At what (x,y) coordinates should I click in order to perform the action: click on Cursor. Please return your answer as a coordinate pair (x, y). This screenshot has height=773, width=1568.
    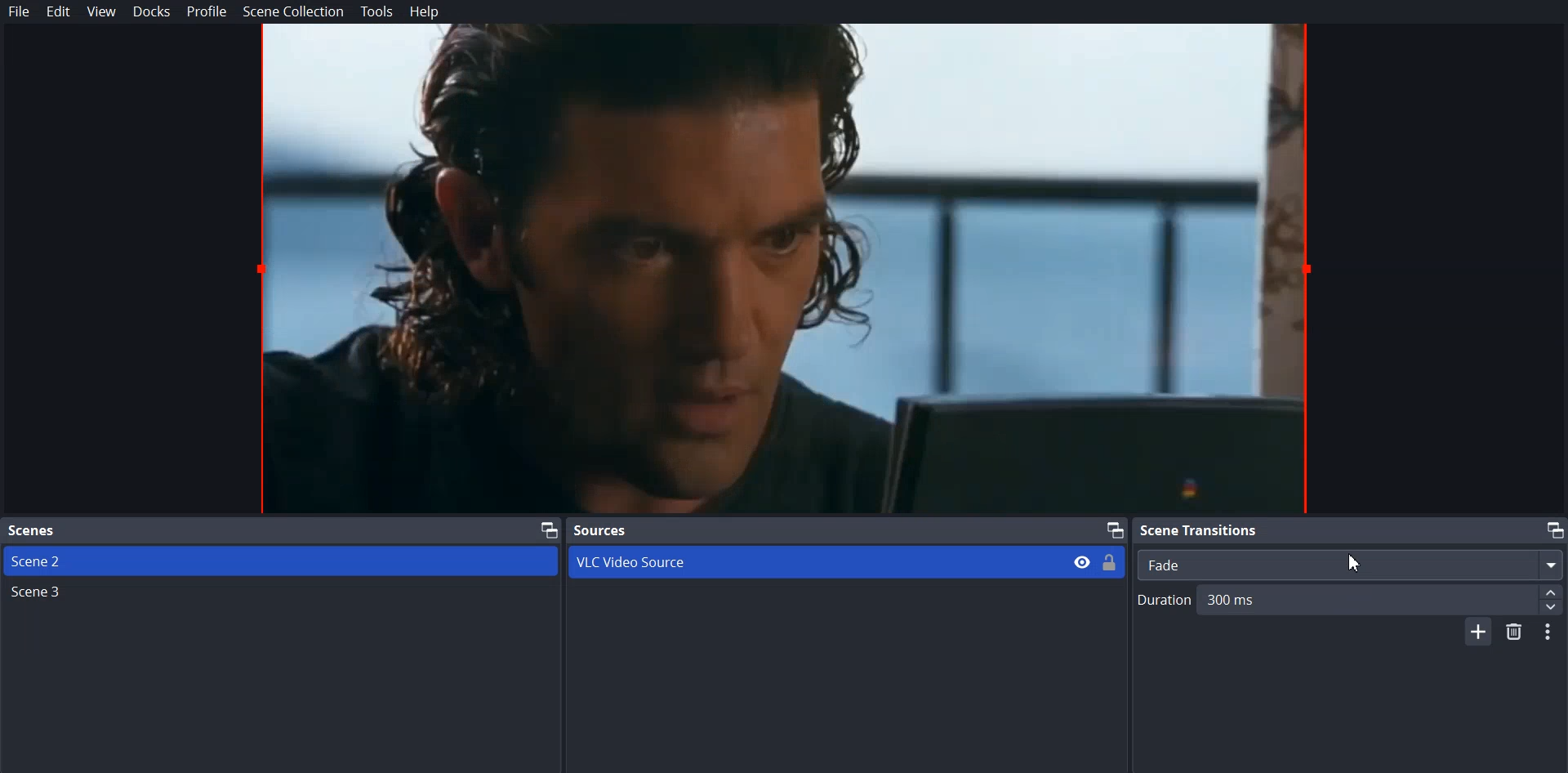
    Looking at the image, I should click on (1357, 563).